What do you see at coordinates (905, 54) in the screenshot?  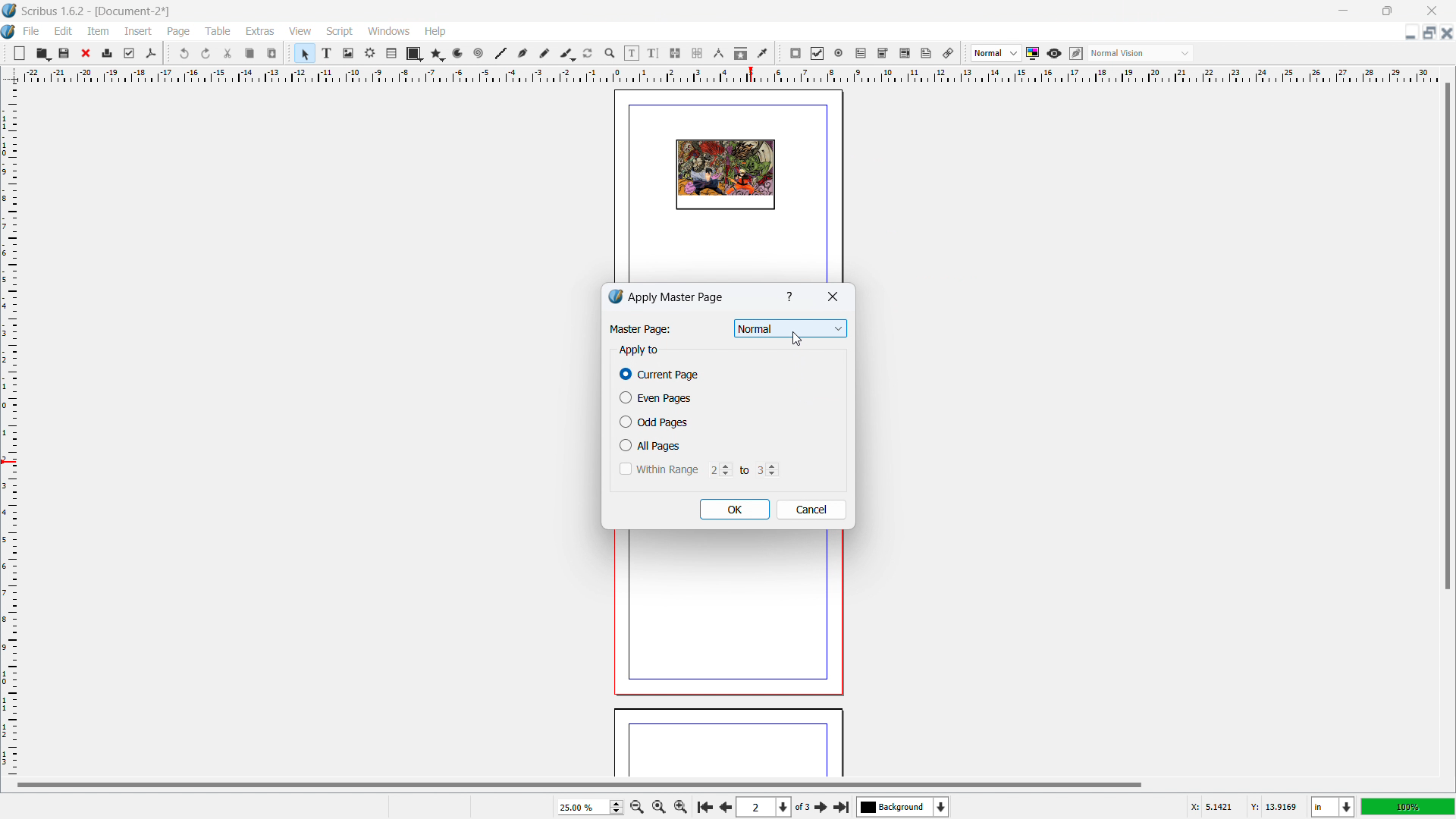 I see `pdf list box` at bounding box center [905, 54].